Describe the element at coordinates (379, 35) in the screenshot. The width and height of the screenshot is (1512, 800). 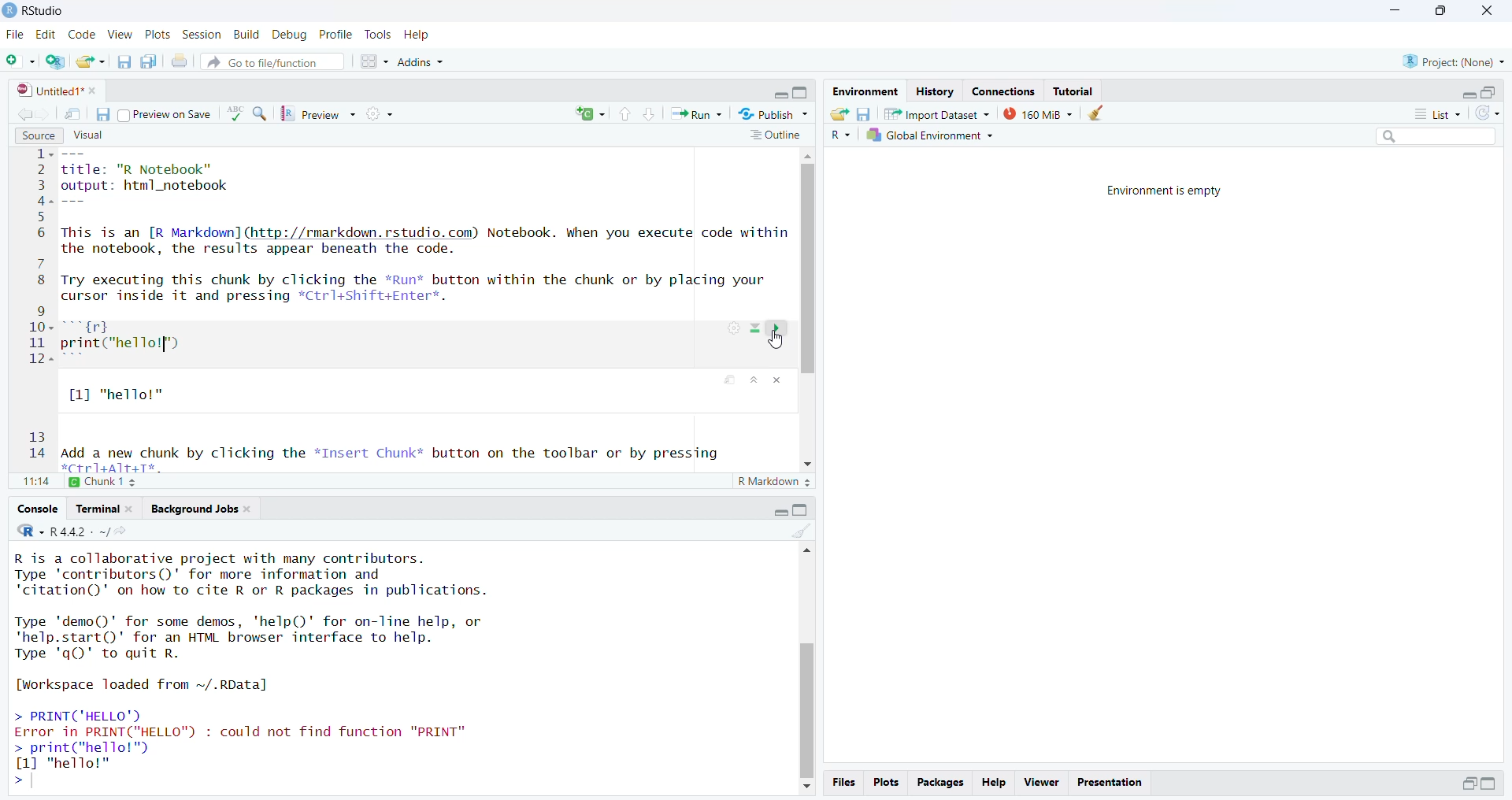
I see `tools` at that location.